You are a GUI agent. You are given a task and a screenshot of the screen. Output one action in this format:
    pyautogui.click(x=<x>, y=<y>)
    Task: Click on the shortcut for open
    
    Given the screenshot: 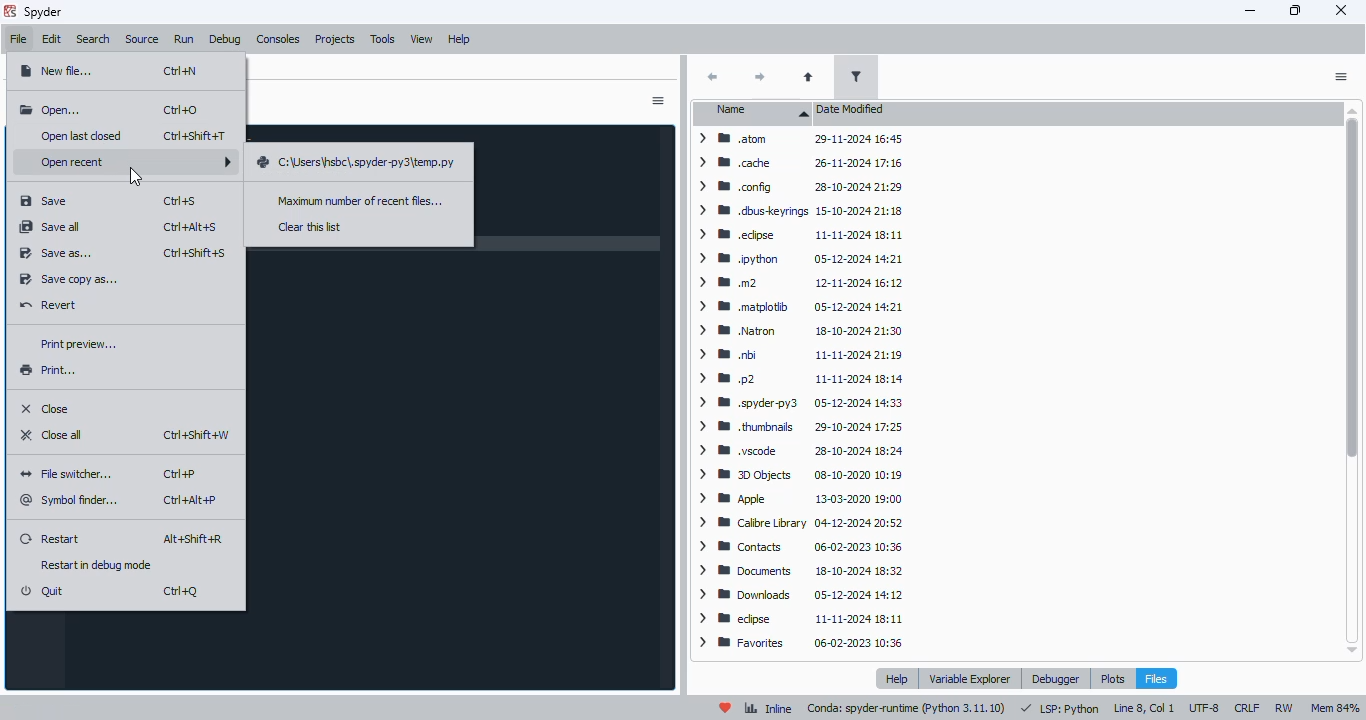 What is the action you would take?
    pyautogui.click(x=183, y=110)
    